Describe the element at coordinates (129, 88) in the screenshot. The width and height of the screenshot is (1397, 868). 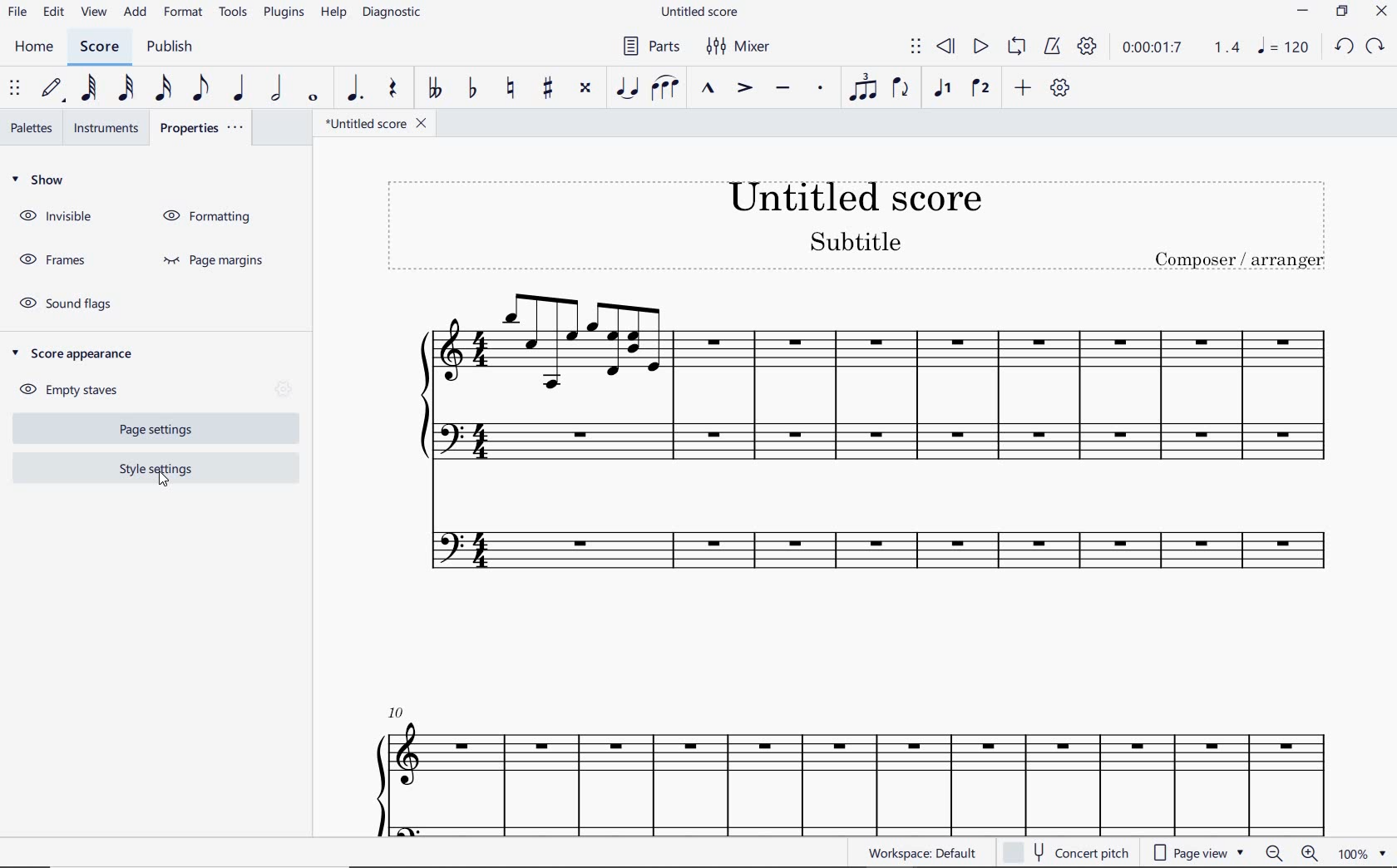
I see `32ND NOTE` at that location.